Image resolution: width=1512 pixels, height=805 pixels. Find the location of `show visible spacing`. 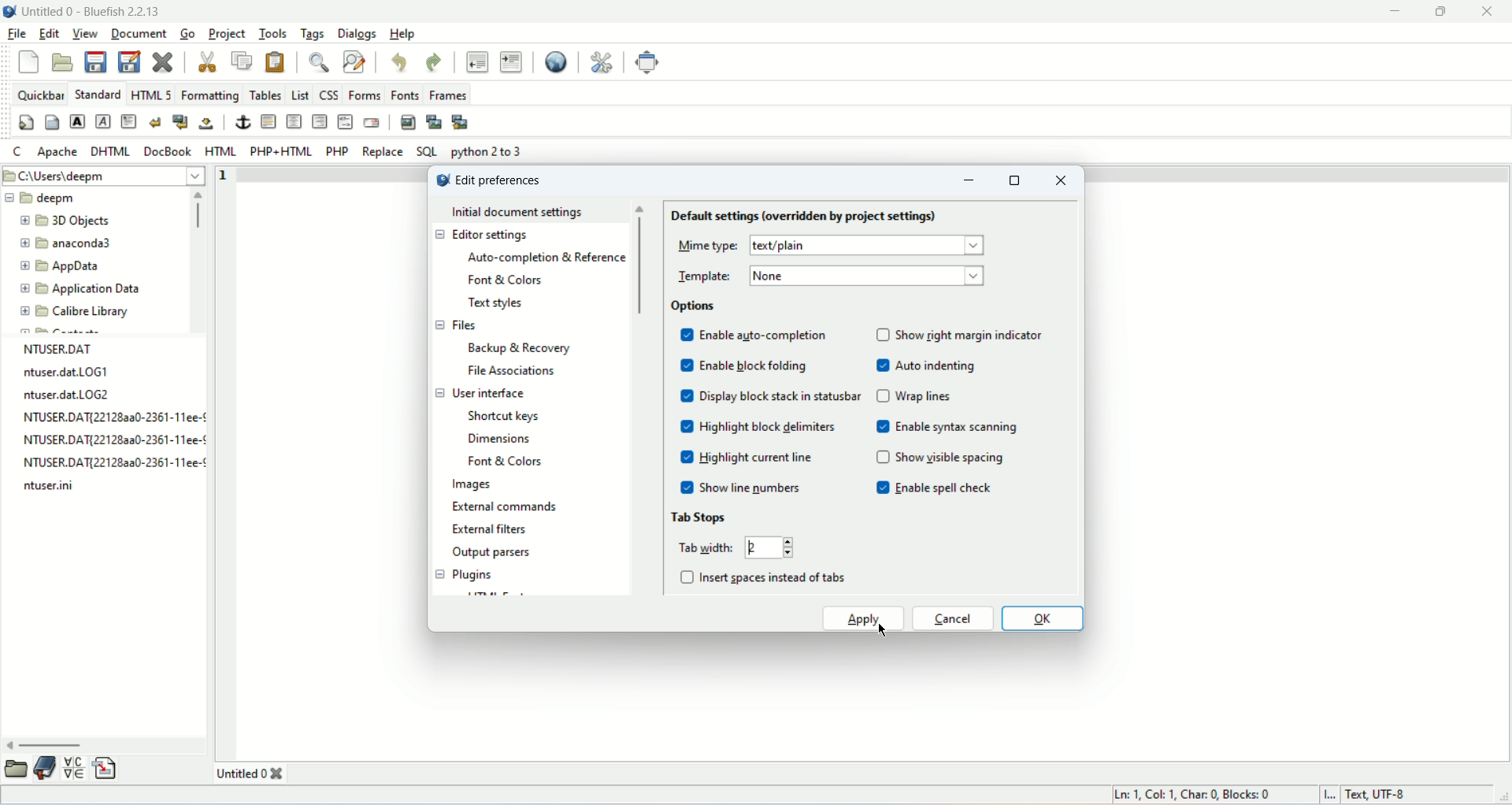

show visible spacing is located at coordinates (948, 457).